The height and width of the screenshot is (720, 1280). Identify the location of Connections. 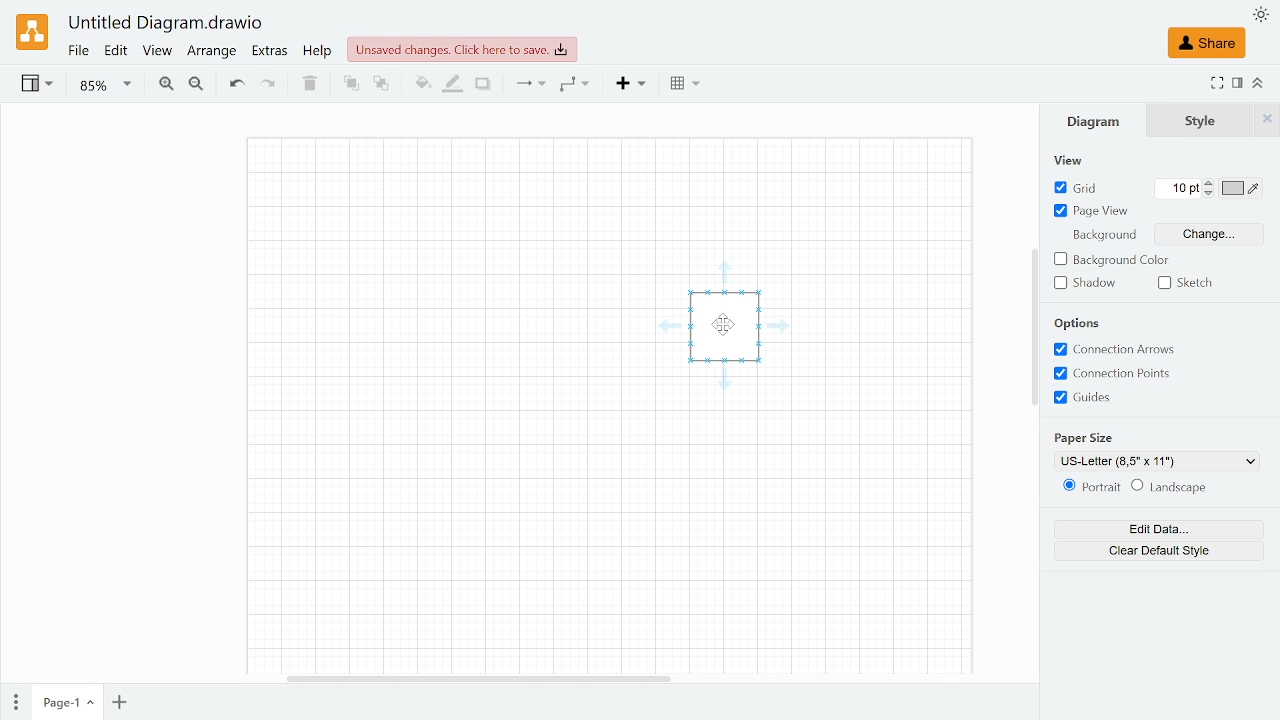
(528, 84).